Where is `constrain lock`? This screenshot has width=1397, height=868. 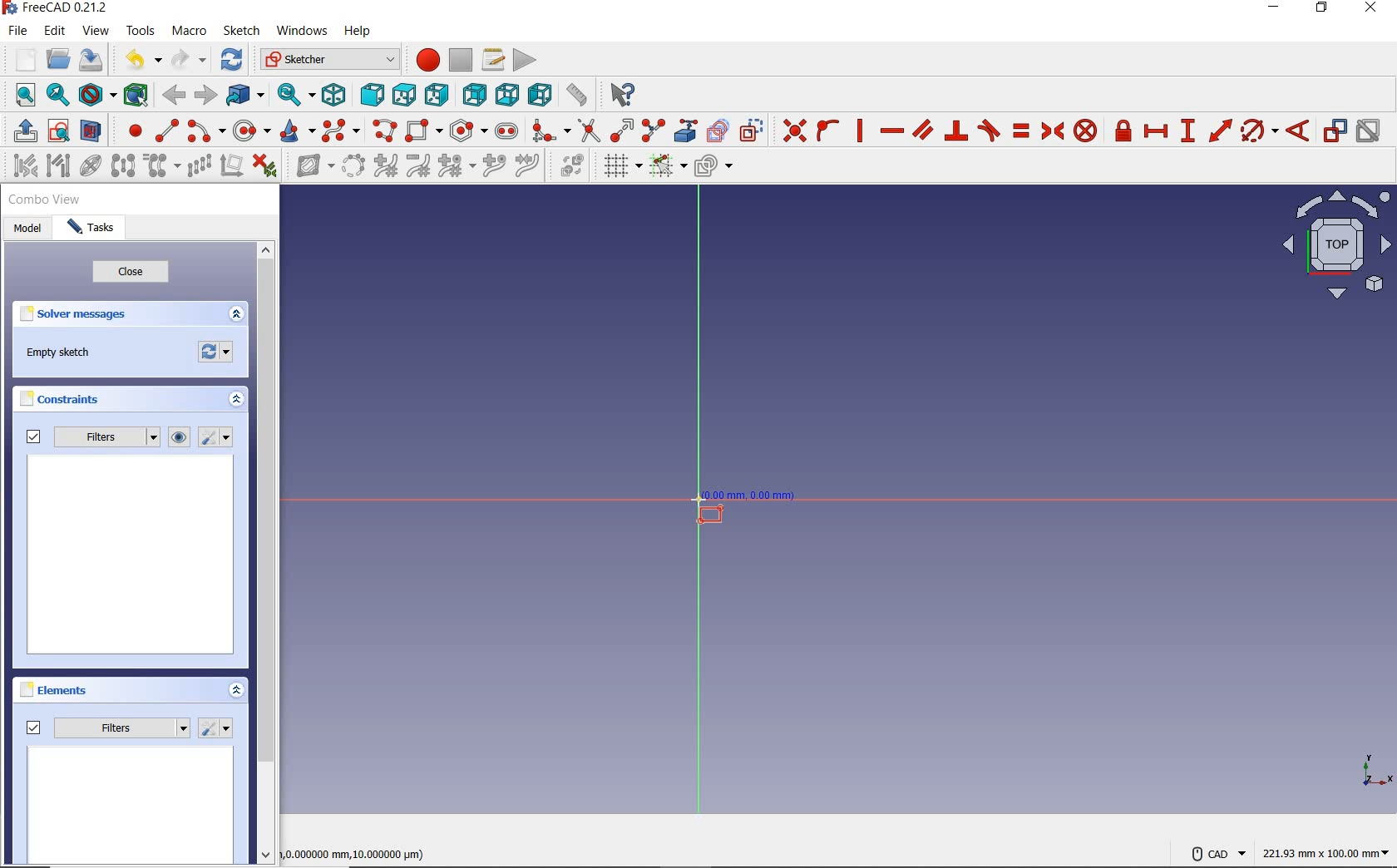
constrain lock is located at coordinates (1123, 131).